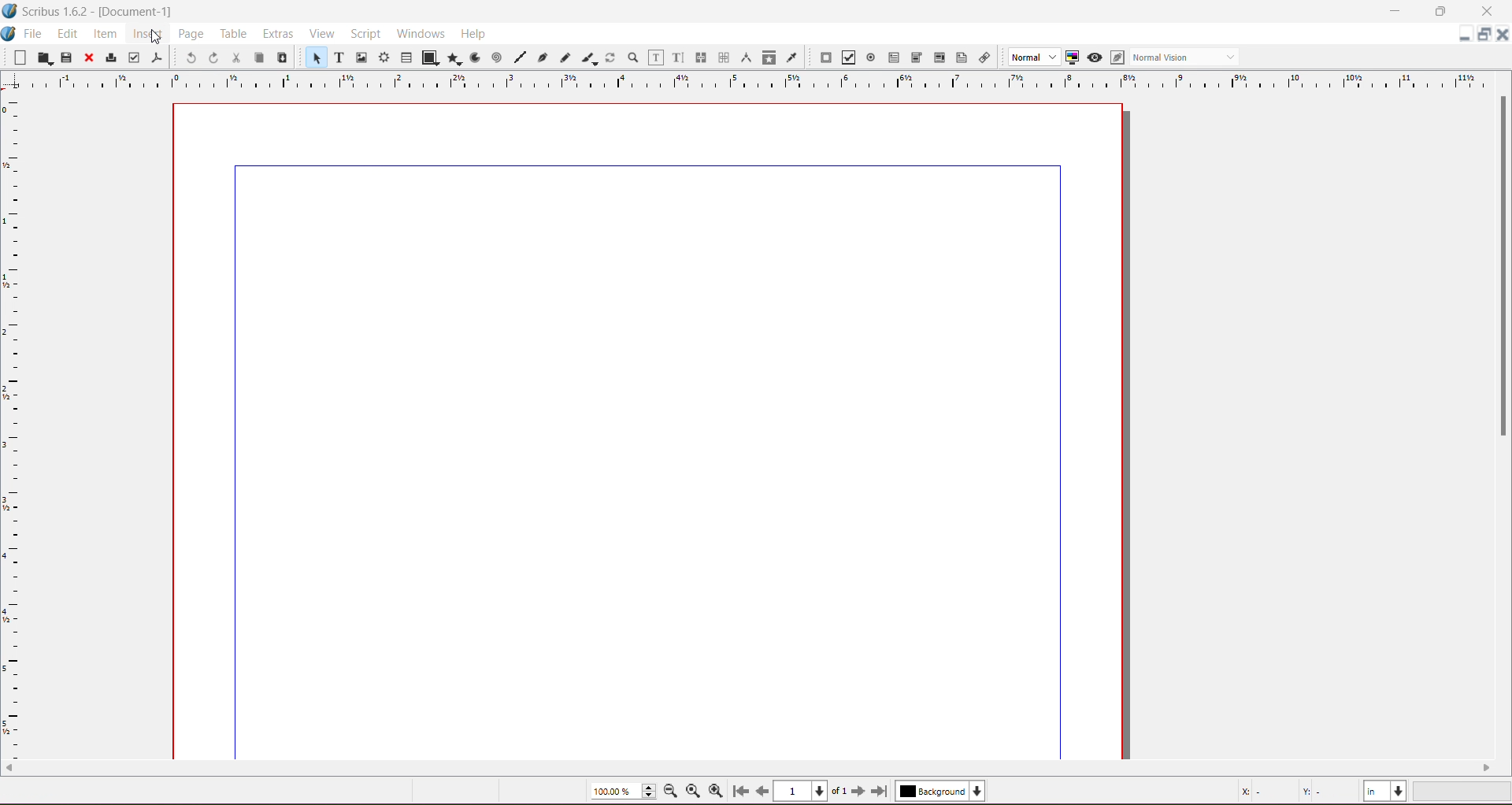 This screenshot has height=805, width=1512. I want to click on Line, so click(520, 57).